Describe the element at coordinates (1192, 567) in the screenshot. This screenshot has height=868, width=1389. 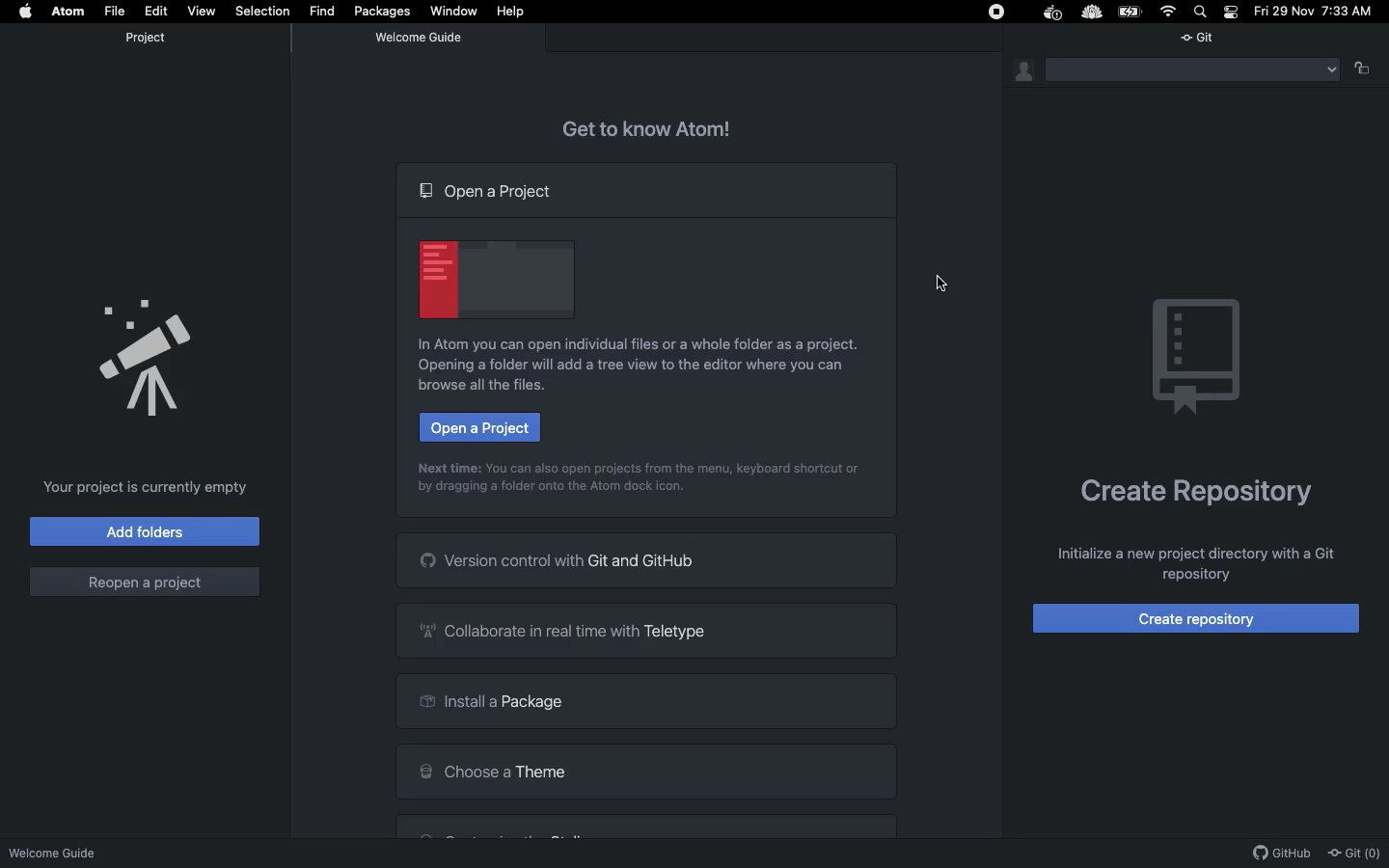
I see `Initialize a new project directory with a Git
repository` at that location.